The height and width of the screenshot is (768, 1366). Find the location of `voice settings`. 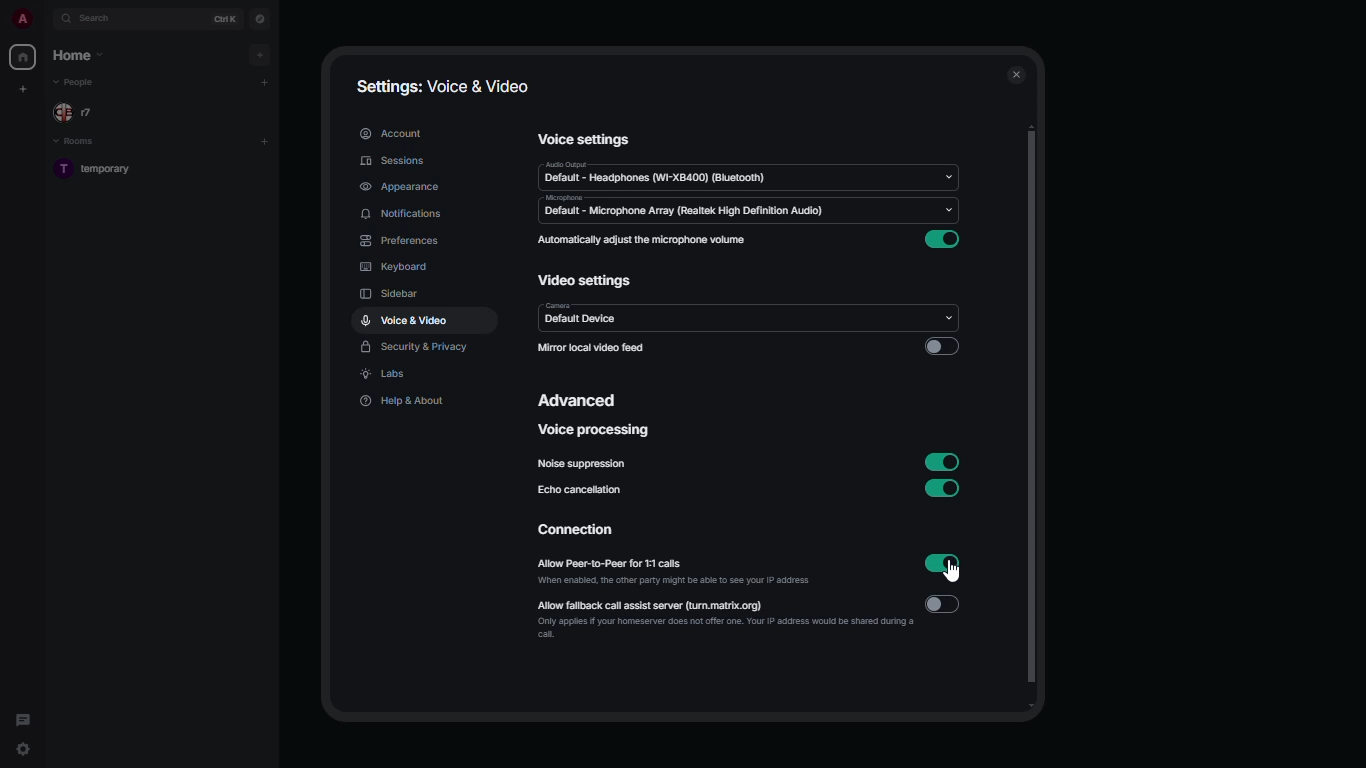

voice settings is located at coordinates (585, 138).